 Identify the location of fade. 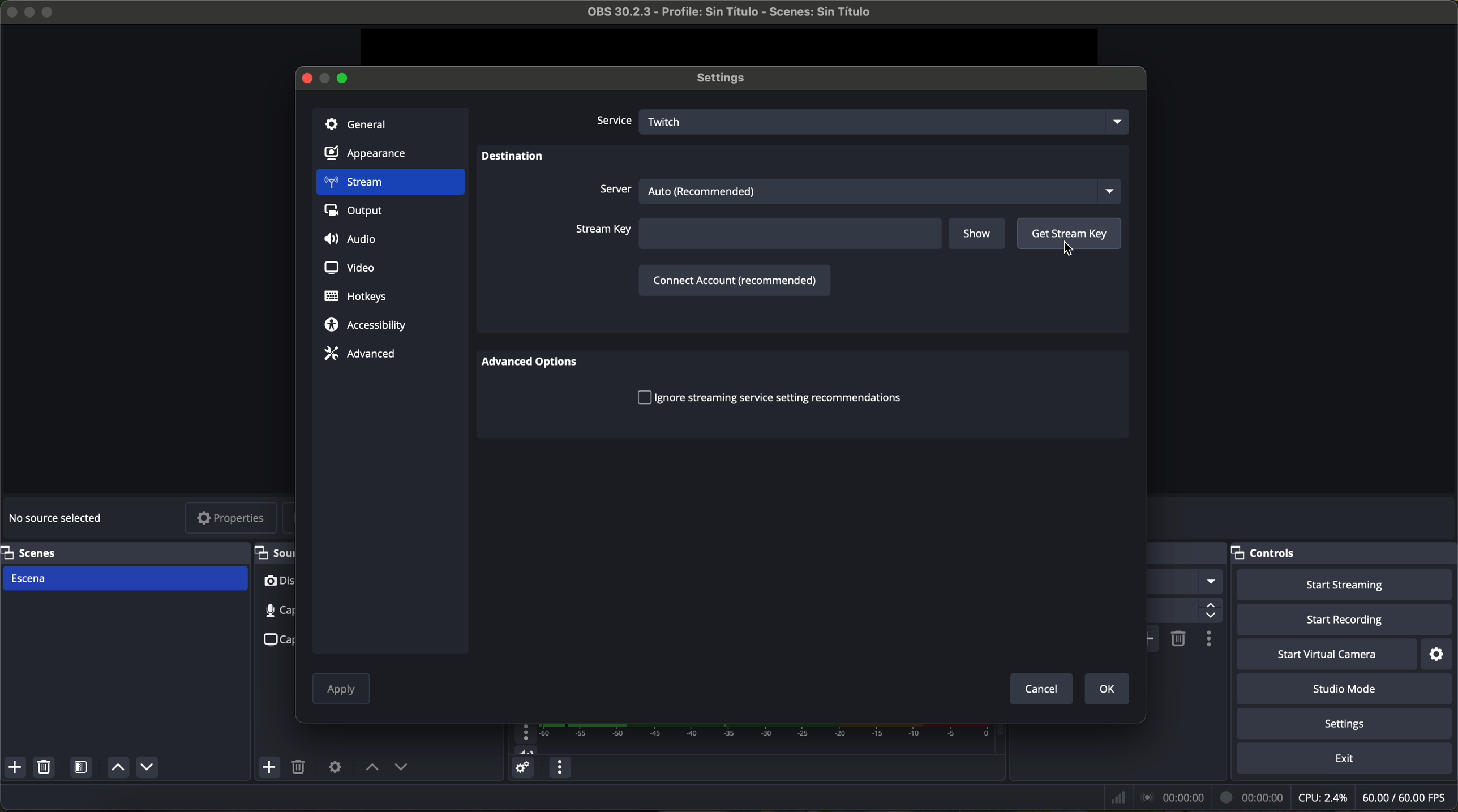
(1185, 582).